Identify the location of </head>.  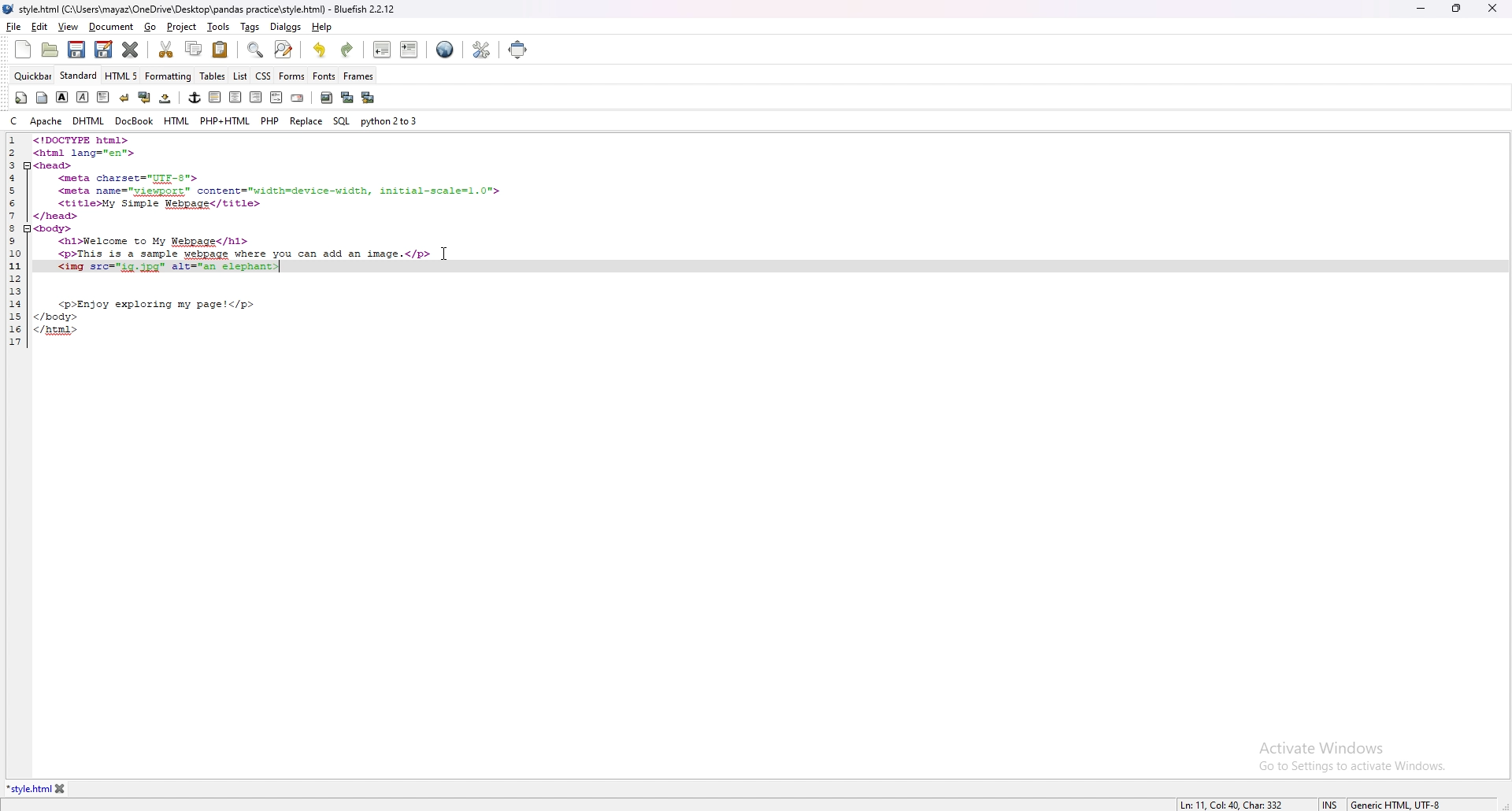
(57, 217).